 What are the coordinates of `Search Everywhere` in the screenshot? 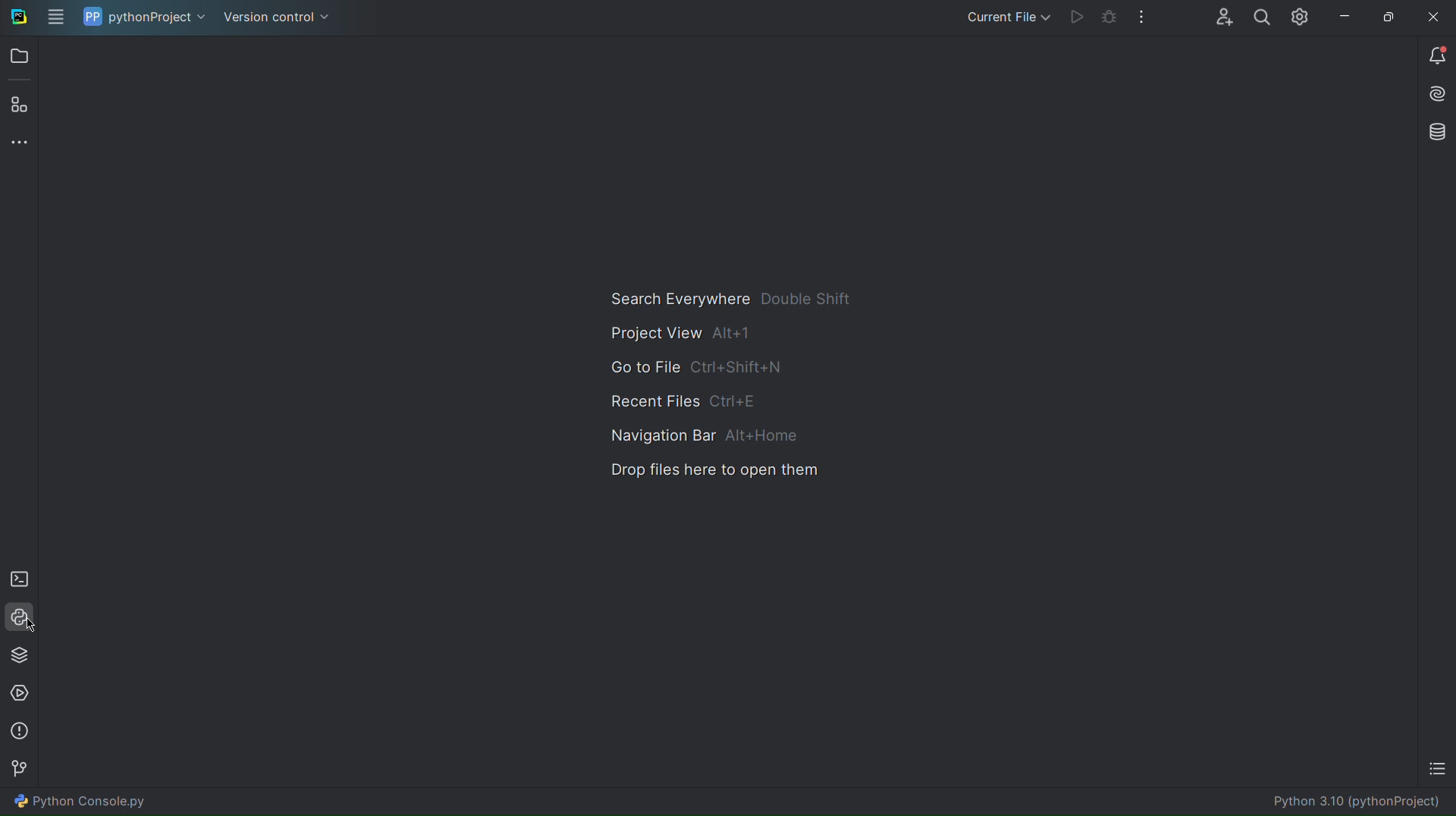 It's located at (730, 300).